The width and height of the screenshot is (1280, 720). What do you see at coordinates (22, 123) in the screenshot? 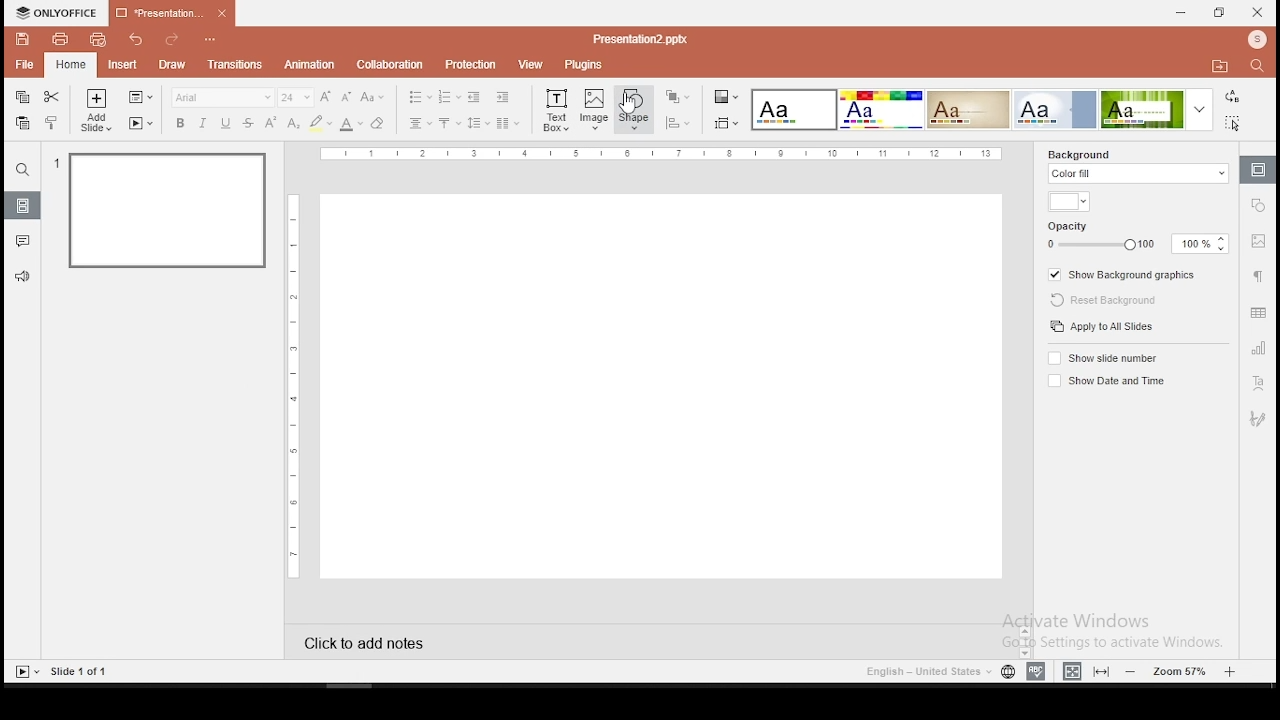
I see `paste` at bounding box center [22, 123].